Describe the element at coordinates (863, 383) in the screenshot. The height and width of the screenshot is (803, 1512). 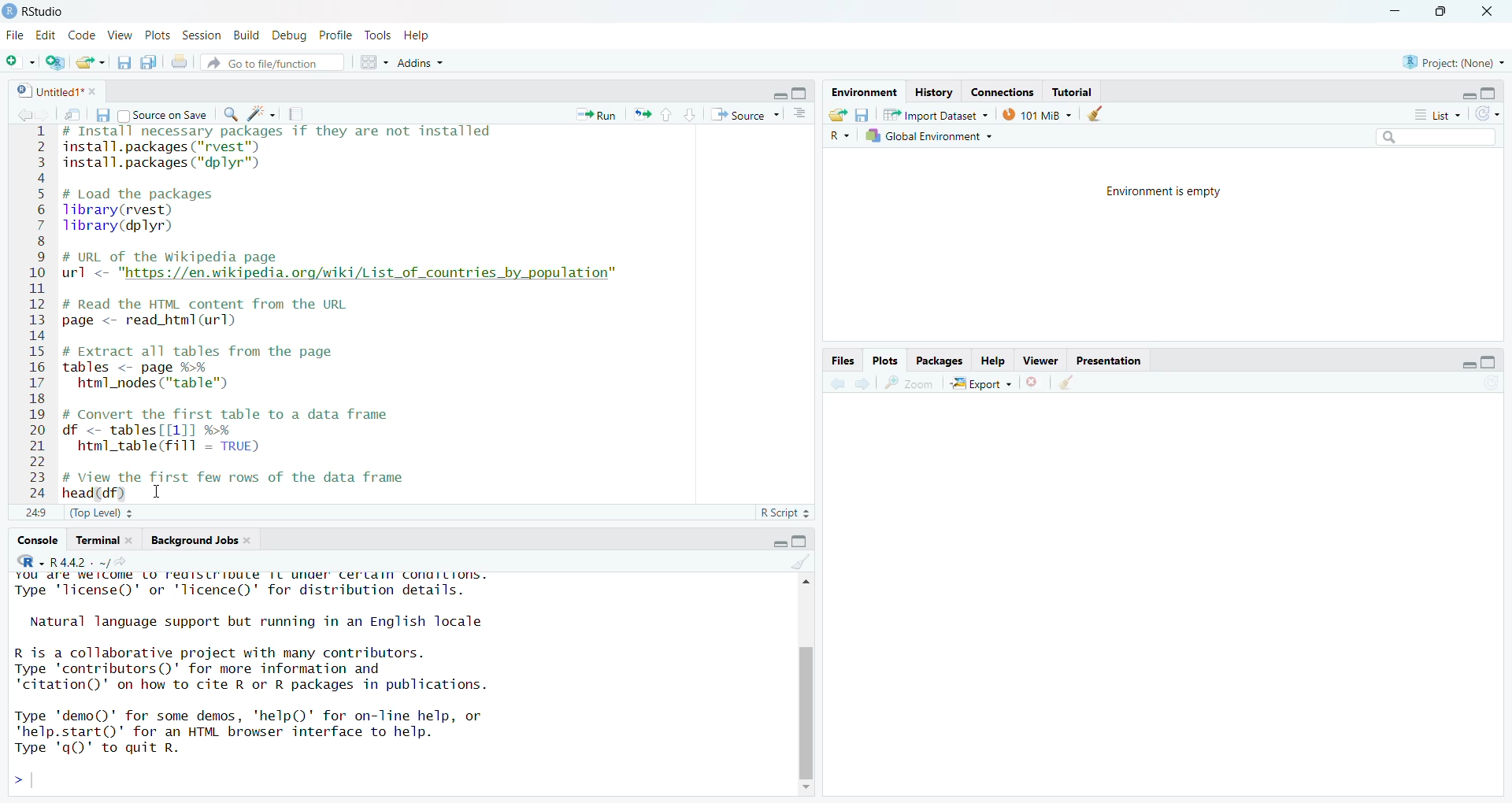
I see `forward` at that location.